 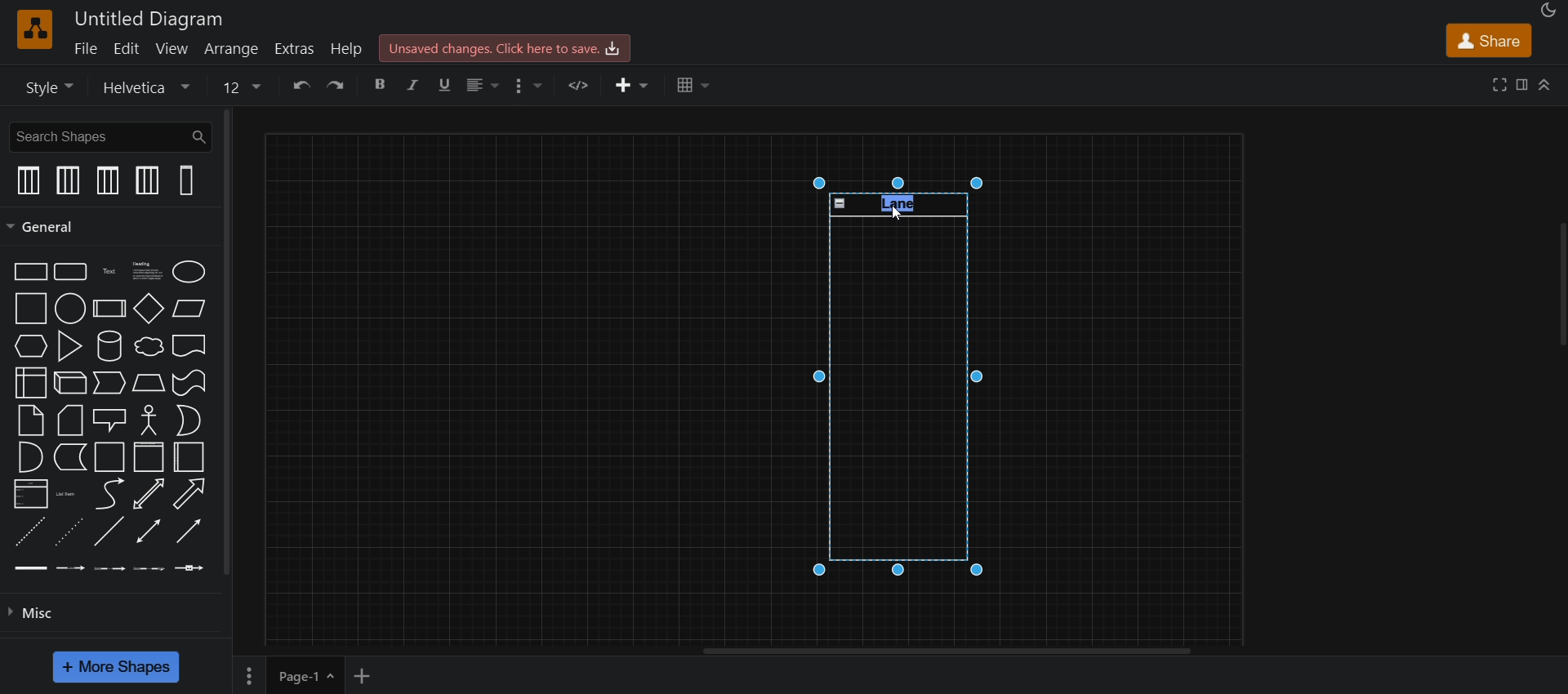 What do you see at coordinates (1521, 85) in the screenshot?
I see `format` at bounding box center [1521, 85].